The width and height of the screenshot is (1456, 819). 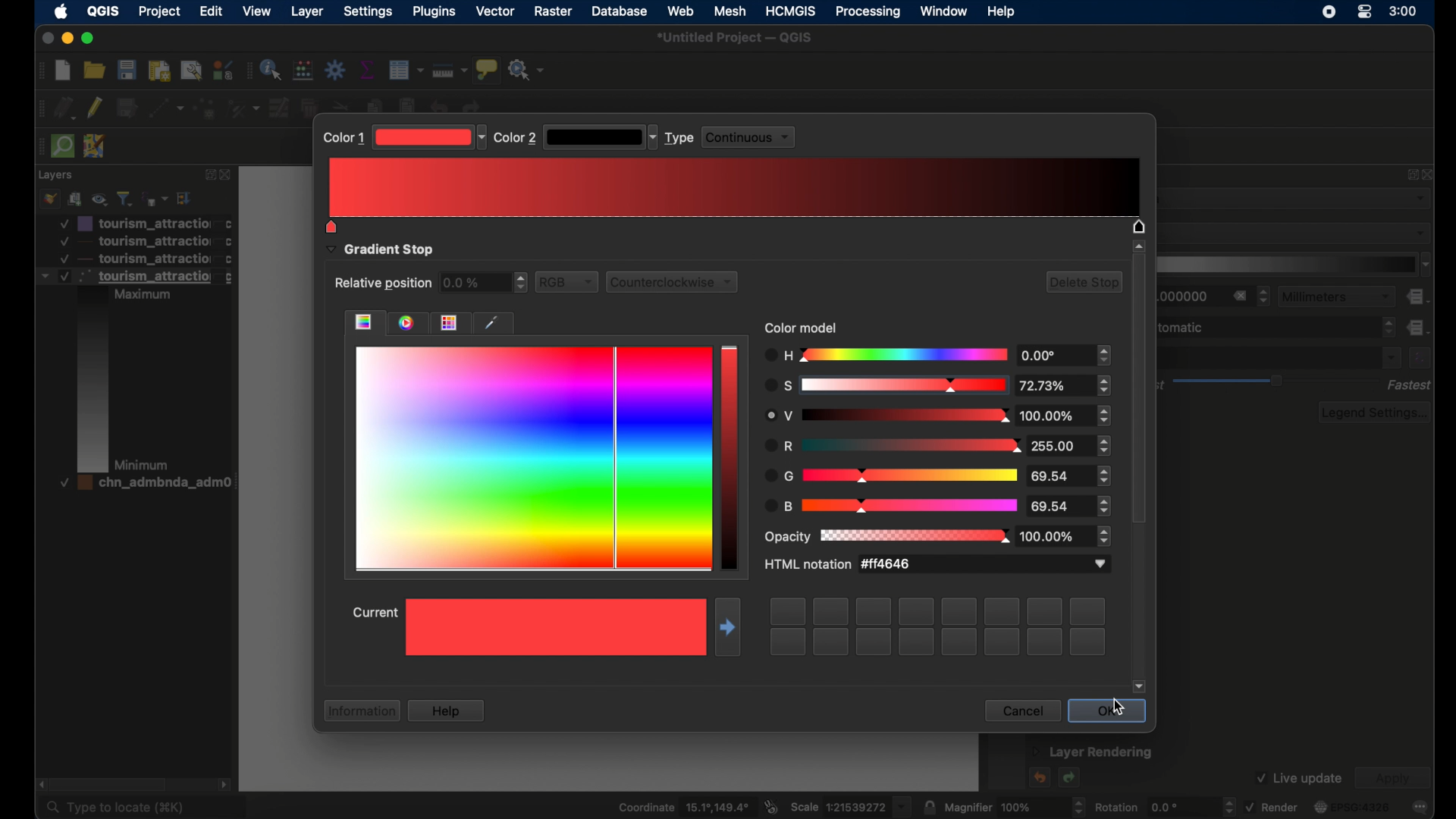 I want to click on open field calculator, so click(x=302, y=70).